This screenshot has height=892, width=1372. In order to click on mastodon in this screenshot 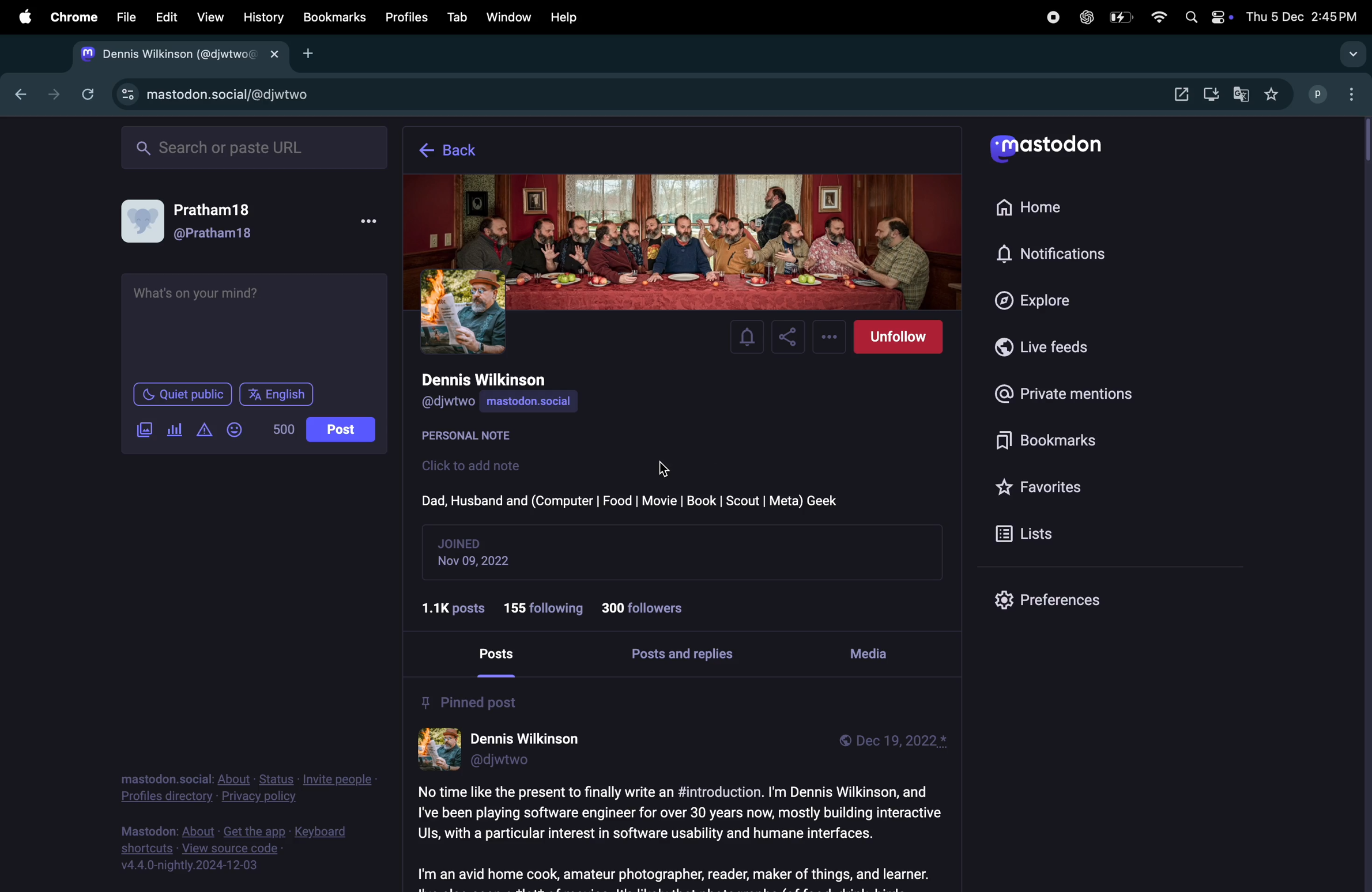, I will do `click(1046, 149)`.